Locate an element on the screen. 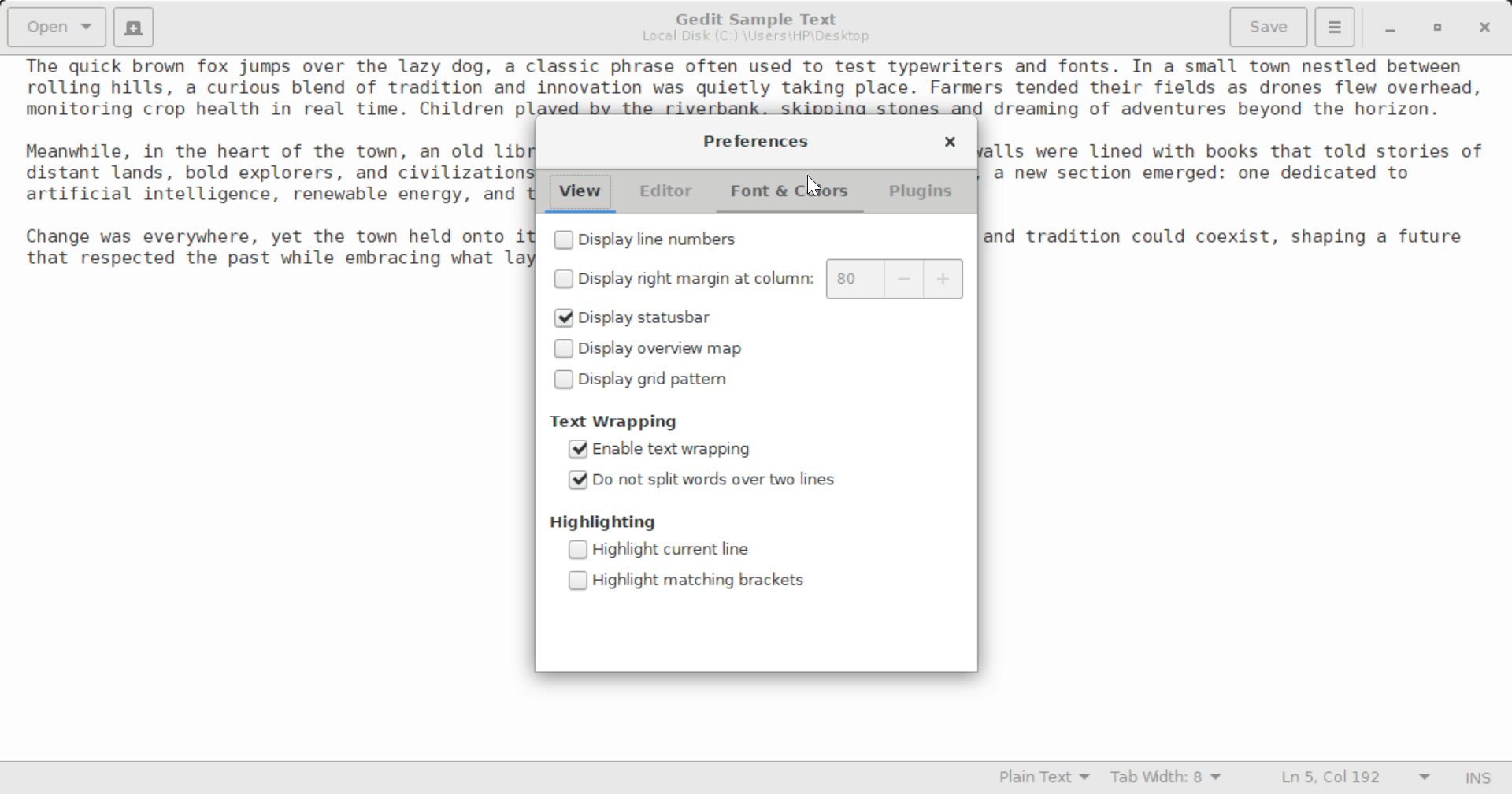 Image resolution: width=1512 pixels, height=794 pixels. Options Menu is located at coordinates (1333, 26).